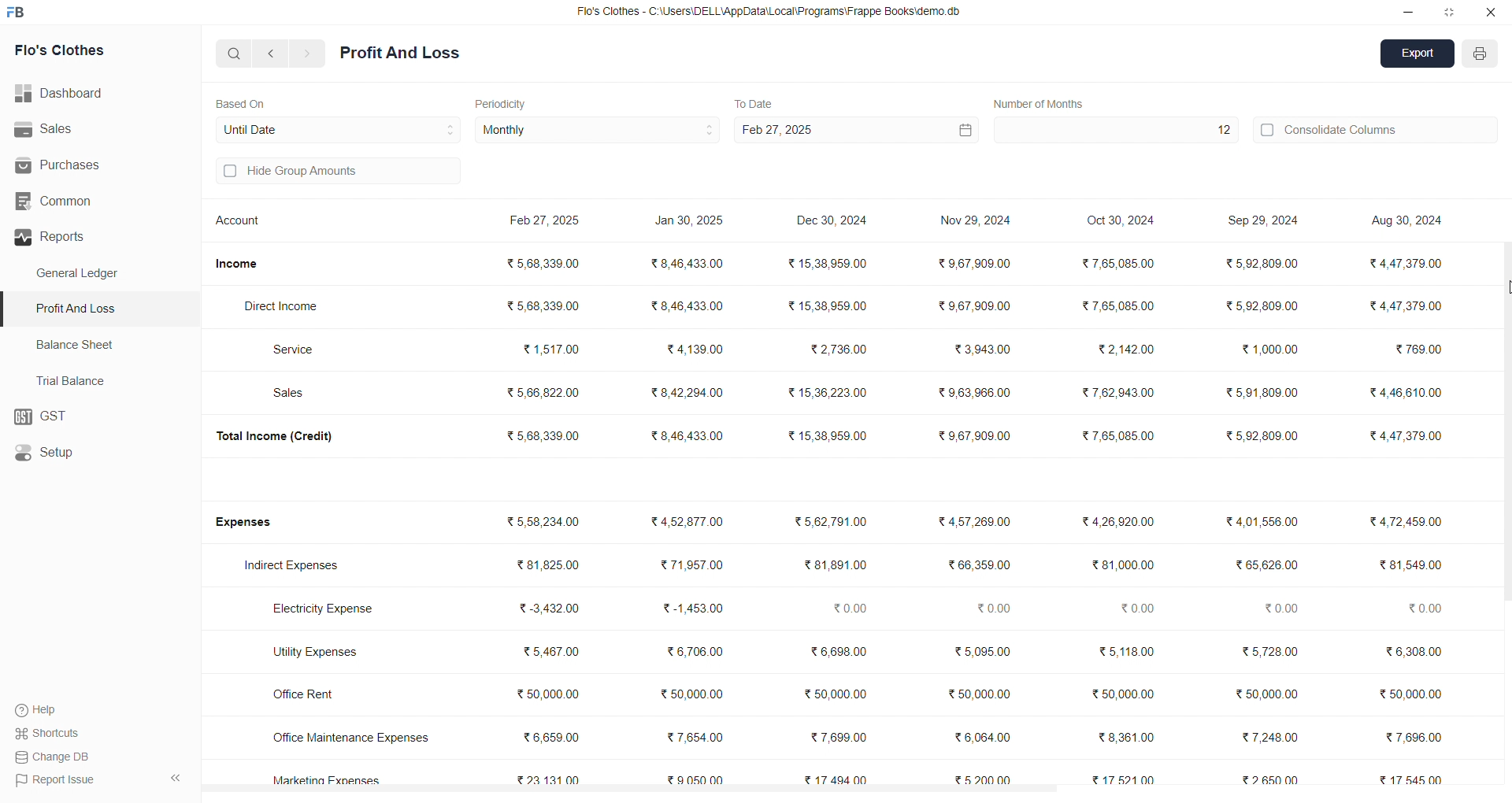 The width and height of the screenshot is (1512, 803). What do you see at coordinates (855, 608) in the screenshot?
I see `₹0.00` at bounding box center [855, 608].